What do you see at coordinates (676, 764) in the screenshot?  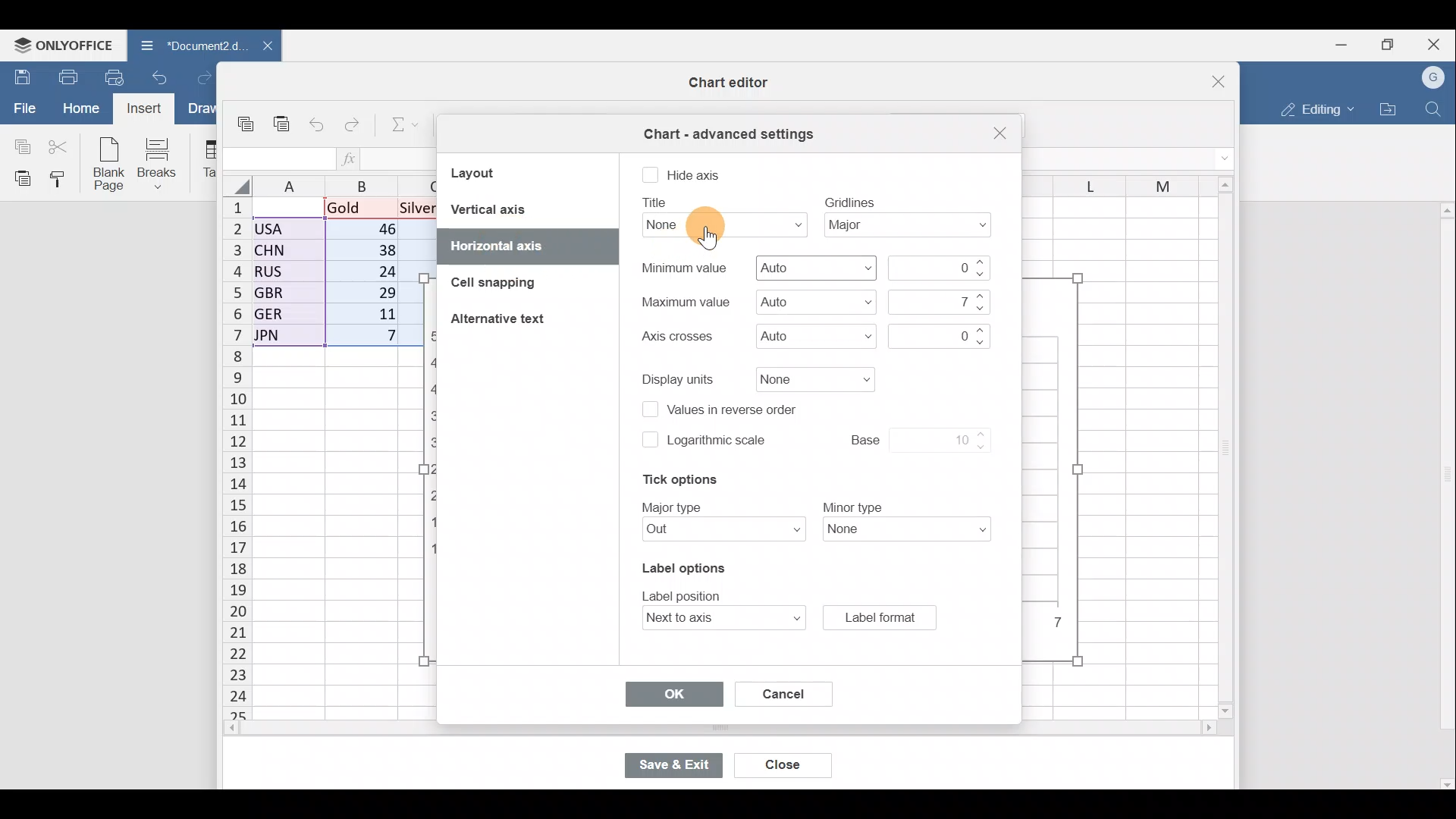 I see `Save & exit` at bounding box center [676, 764].